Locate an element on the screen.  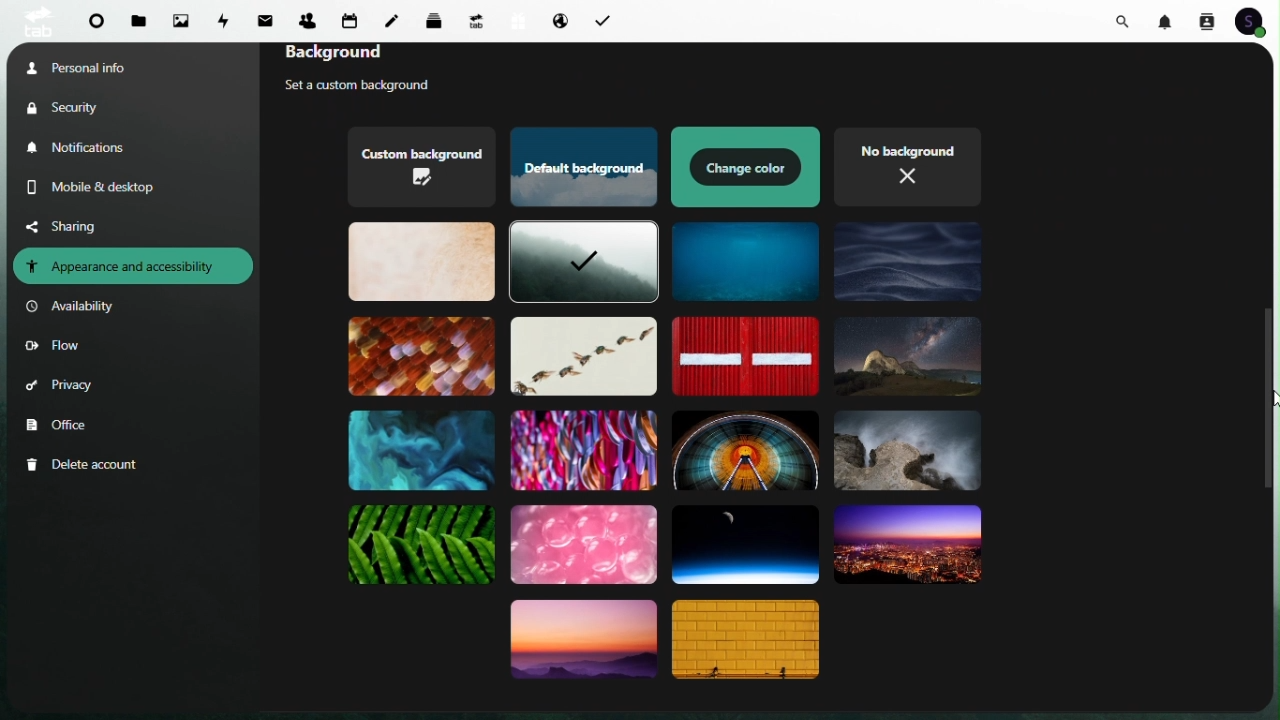
Themes is located at coordinates (581, 356).